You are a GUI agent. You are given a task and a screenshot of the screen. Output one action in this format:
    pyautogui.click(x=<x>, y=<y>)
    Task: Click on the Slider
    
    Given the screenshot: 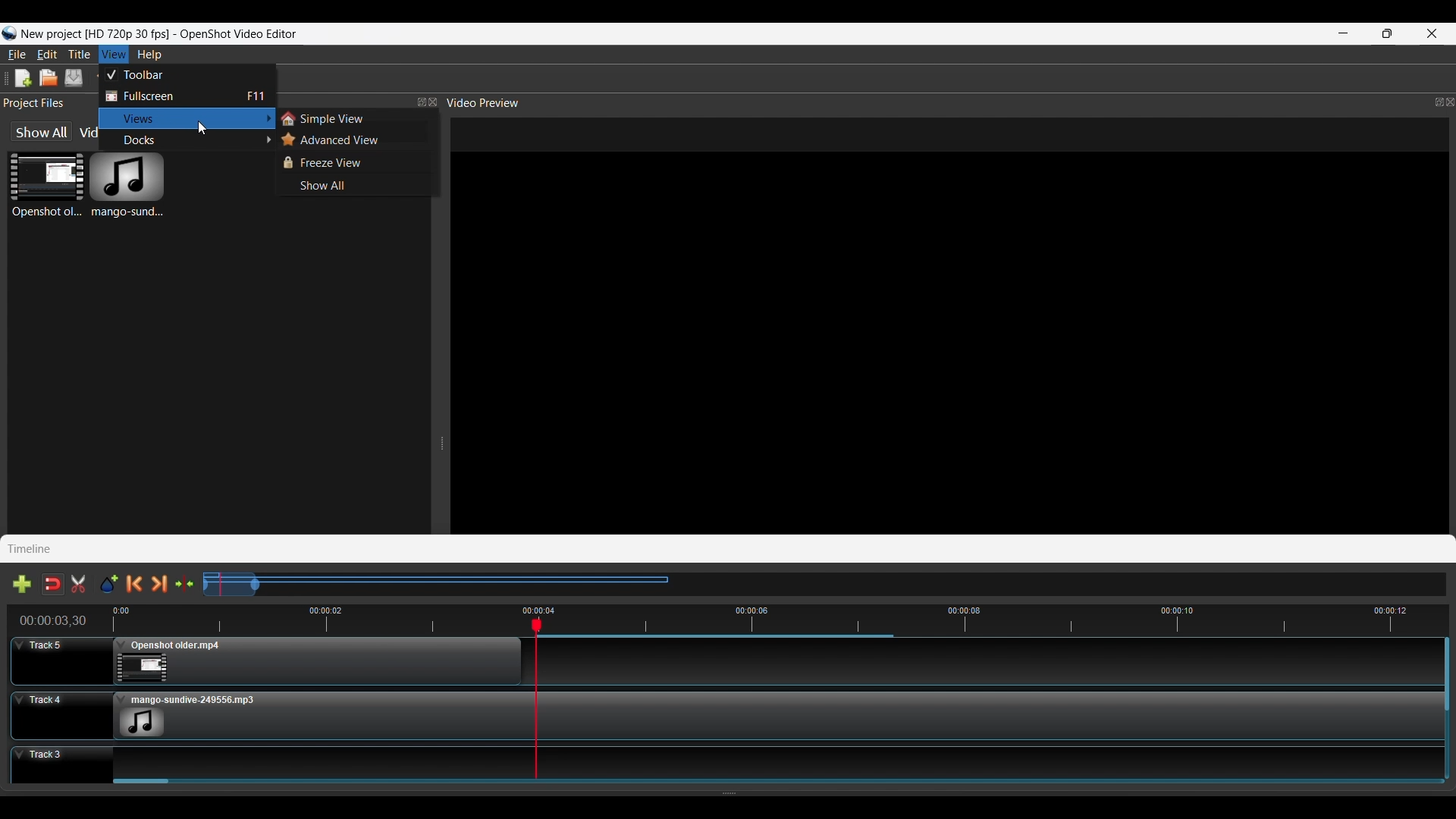 What is the action you would take?
    pyautogui.click(x=824, y=585)
    